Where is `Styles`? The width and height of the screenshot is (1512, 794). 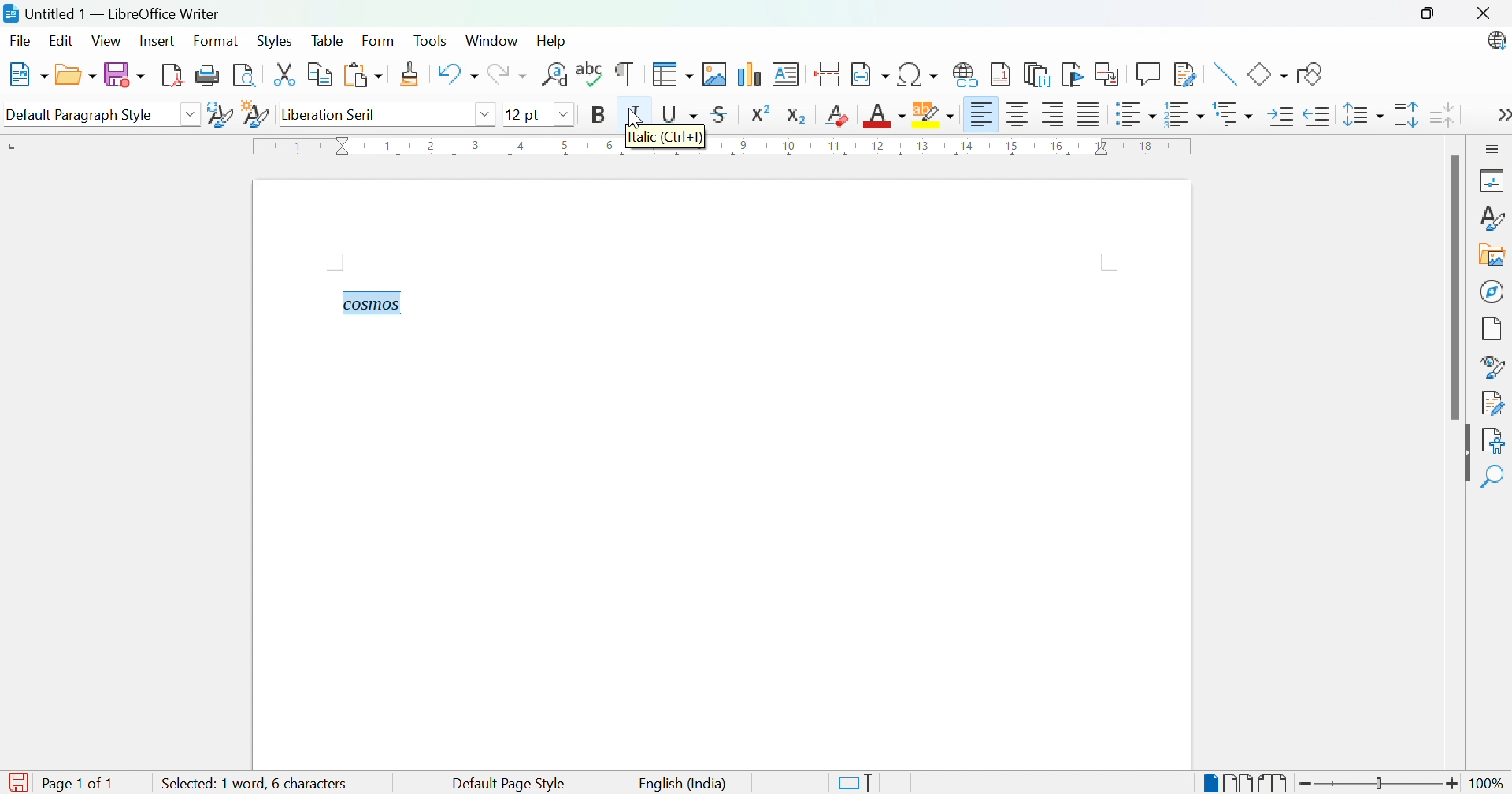
Styles is located at coordinates (1492, 219).